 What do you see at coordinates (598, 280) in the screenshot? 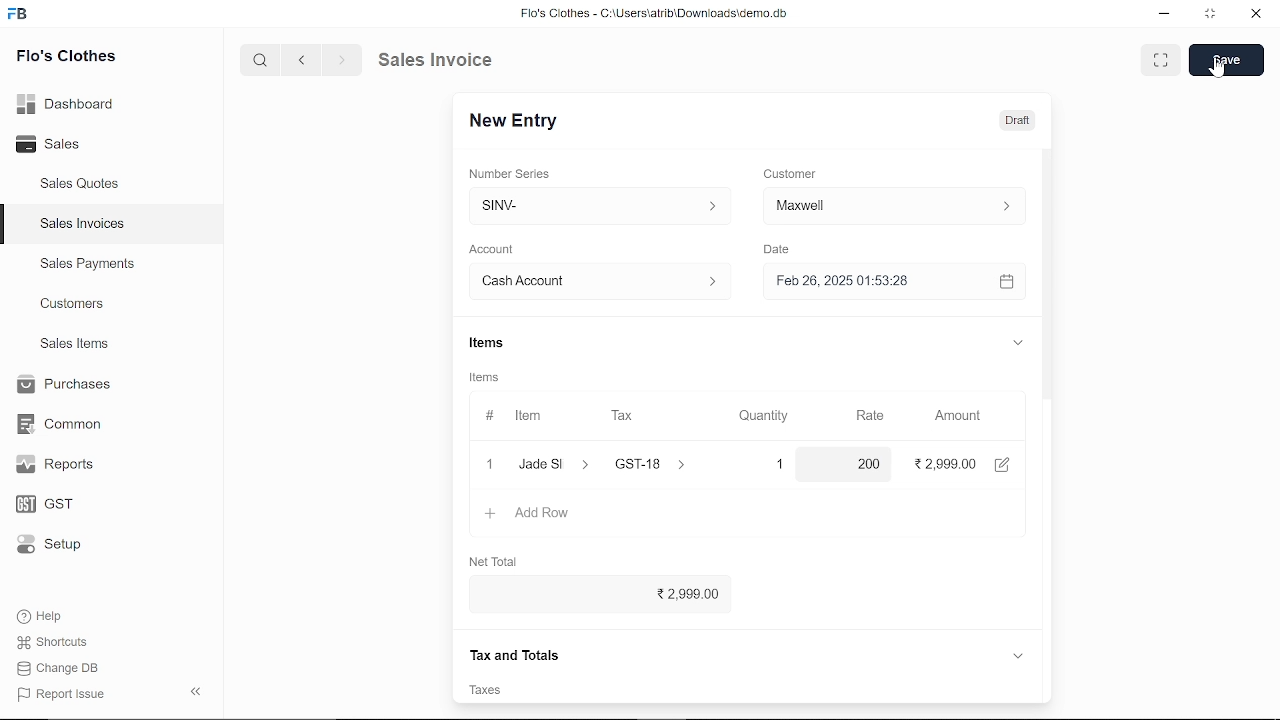
I see `Account :` at bounding box center [598, 280].